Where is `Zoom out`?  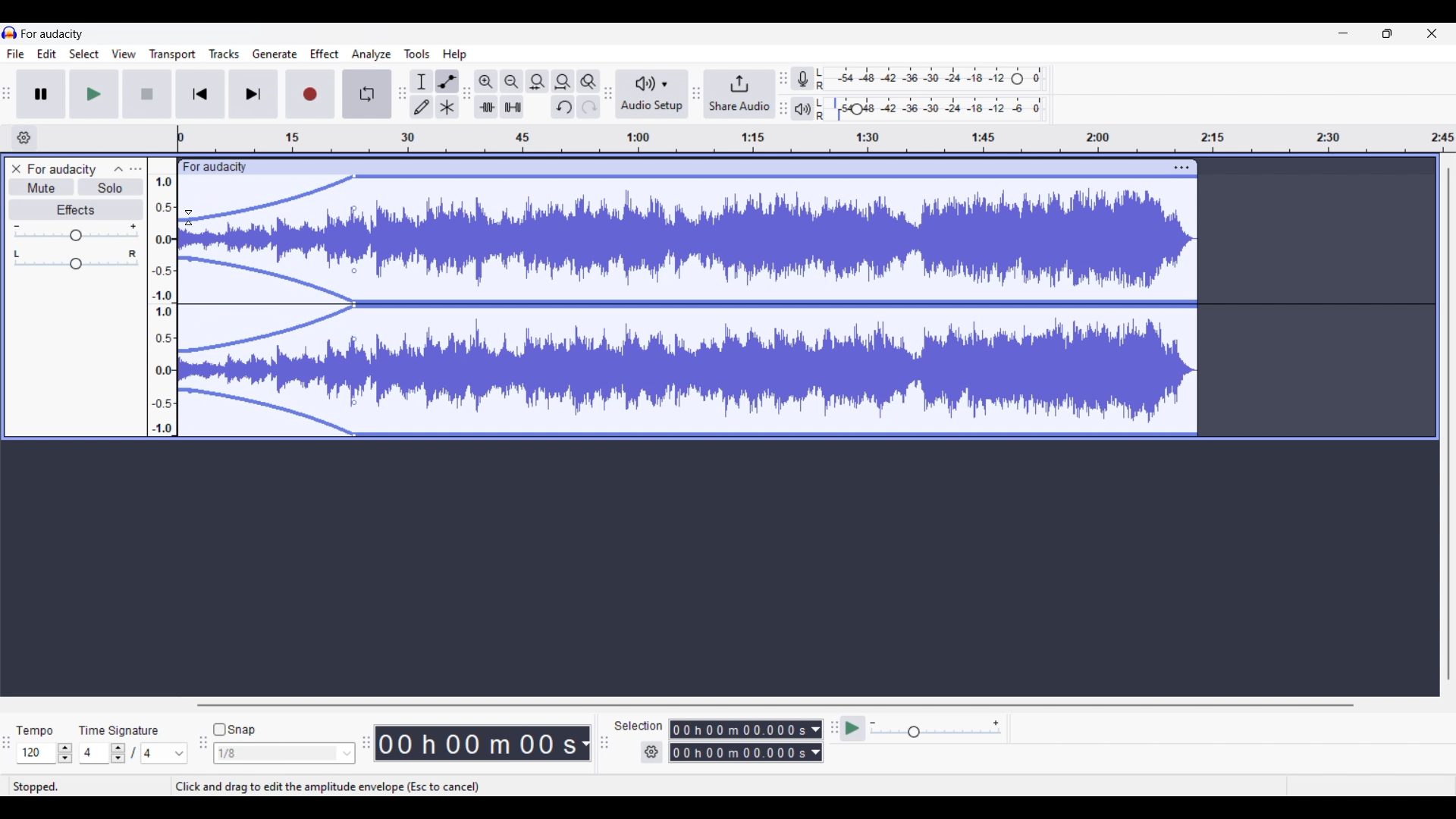 Zoom out is located at coordinates (513, 81).